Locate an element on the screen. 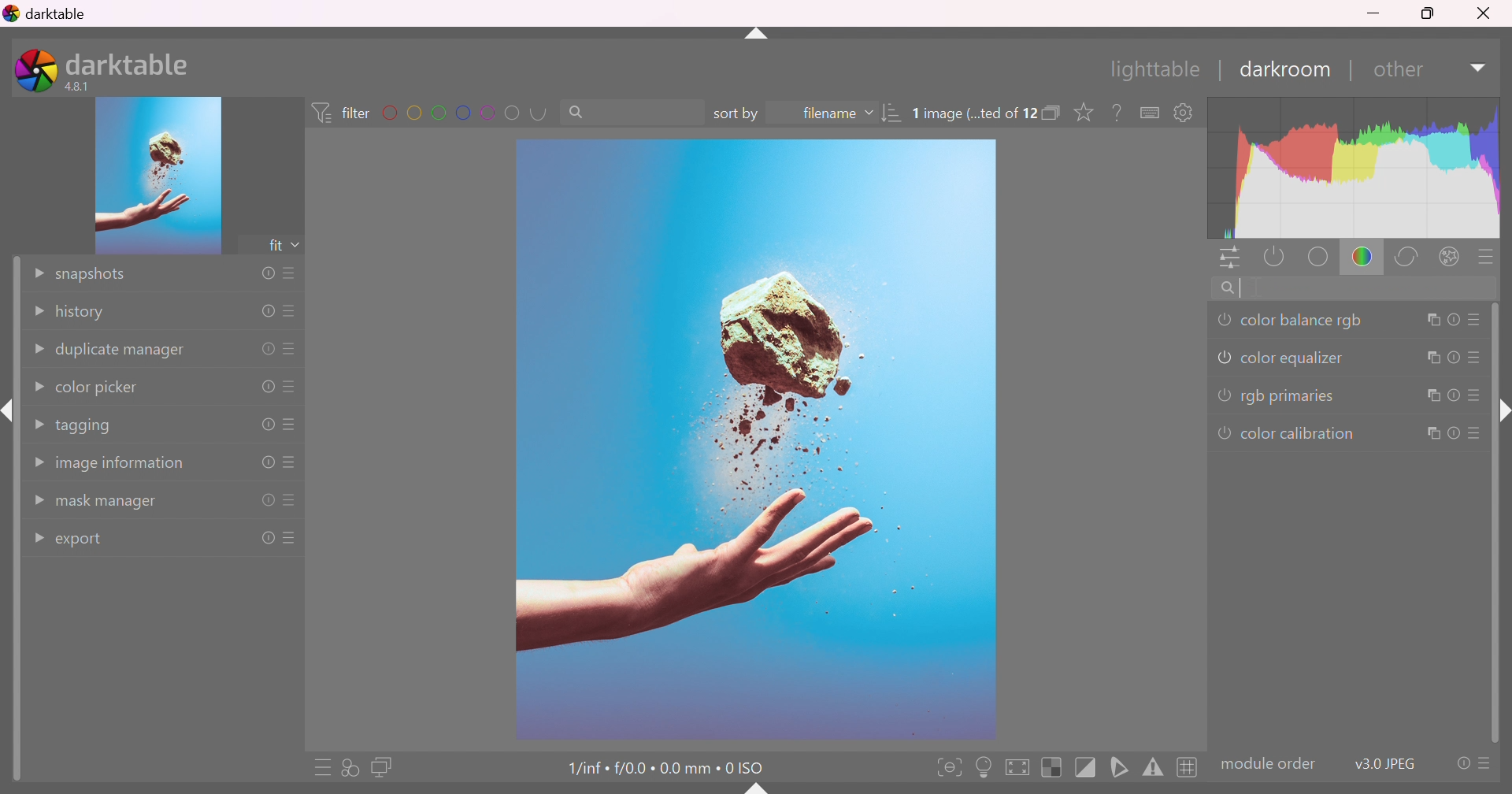  color is located at coordinates (1364, 260).